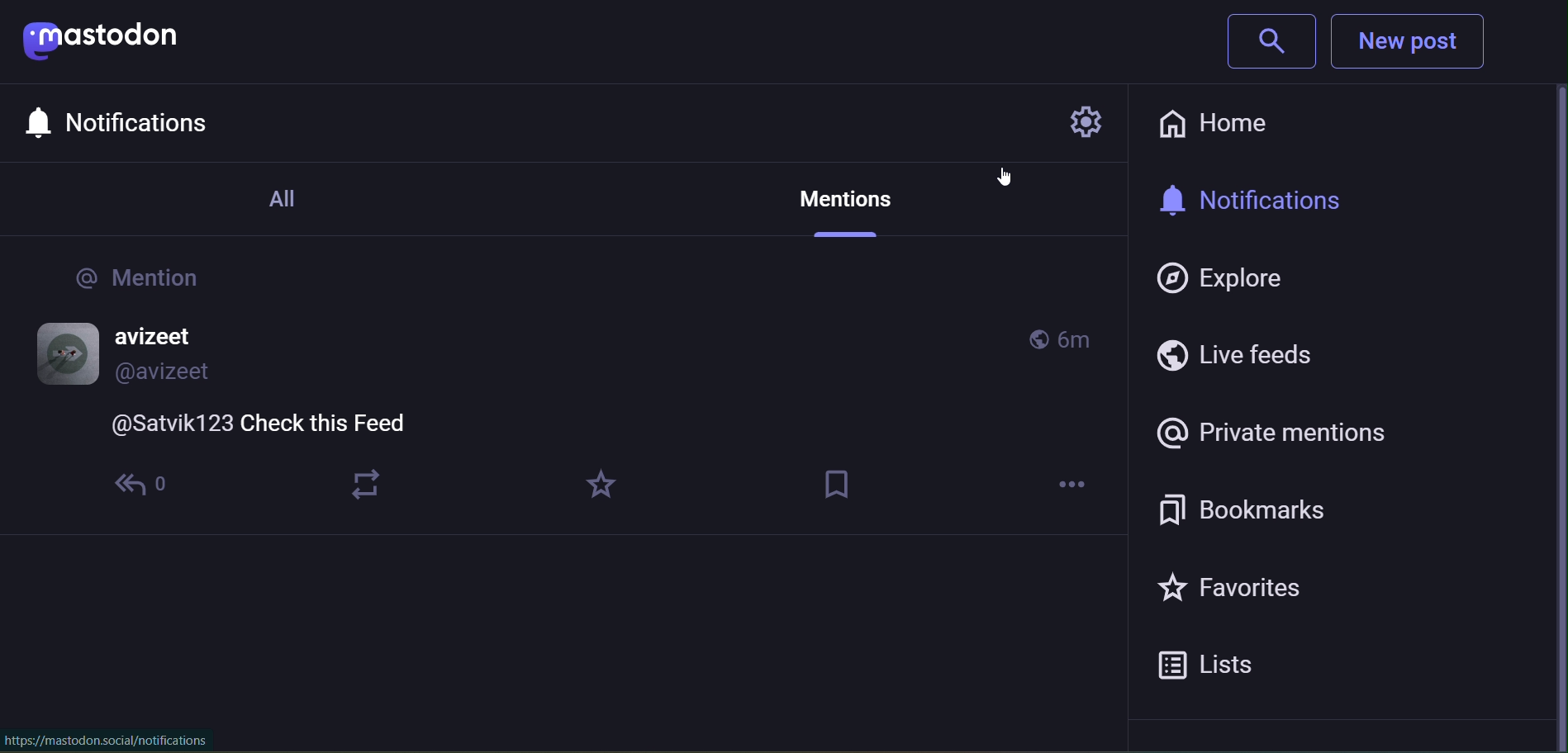 The height and width of the screenshot is (753, 1568). What do you see at coordinates (64, 353) in the screenshot?
I see `profile picture` at bounding box center [64, 353].